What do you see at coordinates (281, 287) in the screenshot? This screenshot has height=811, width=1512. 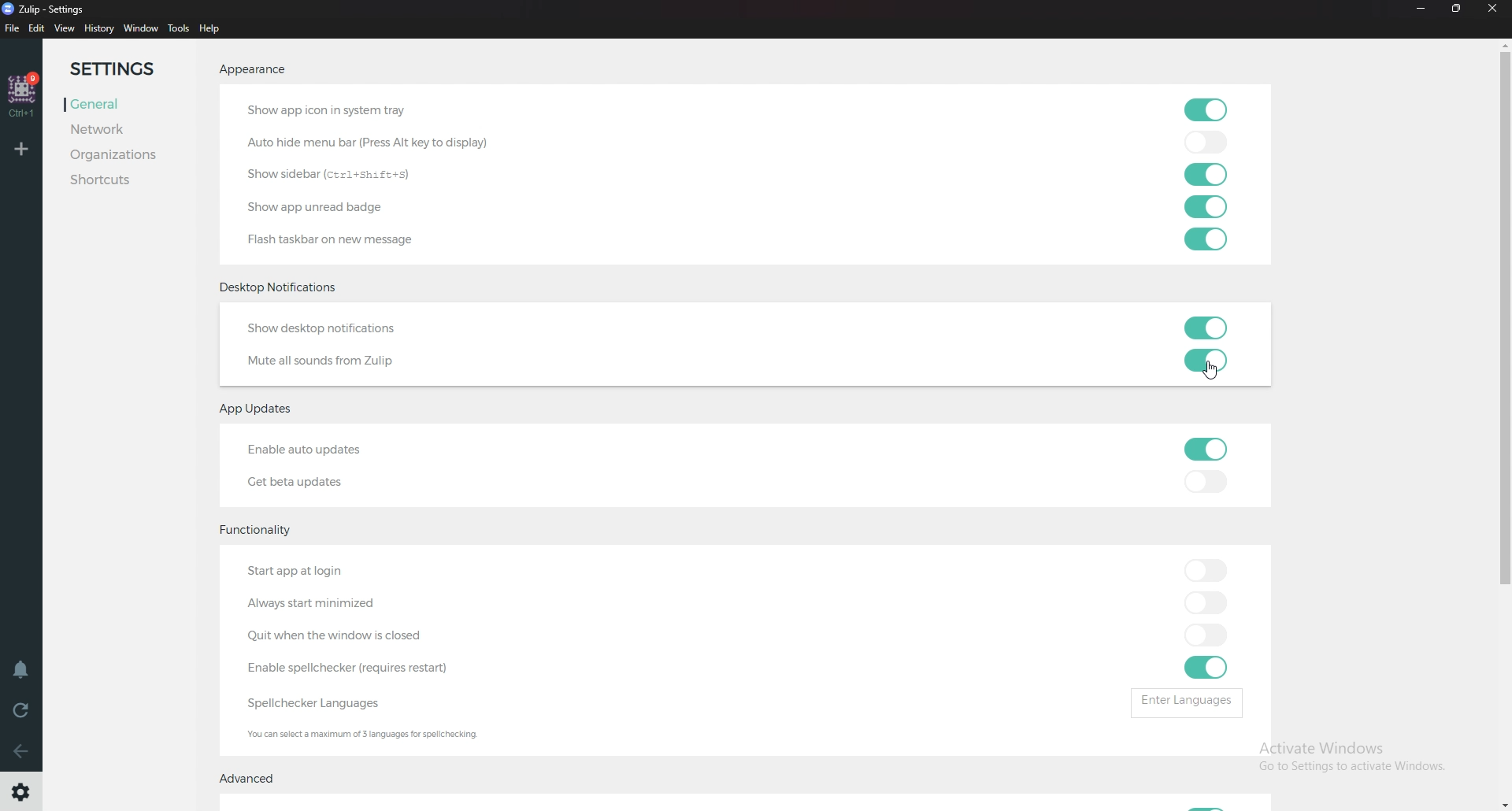 I see `Desktop notifications` at bounding box center [281, 287].